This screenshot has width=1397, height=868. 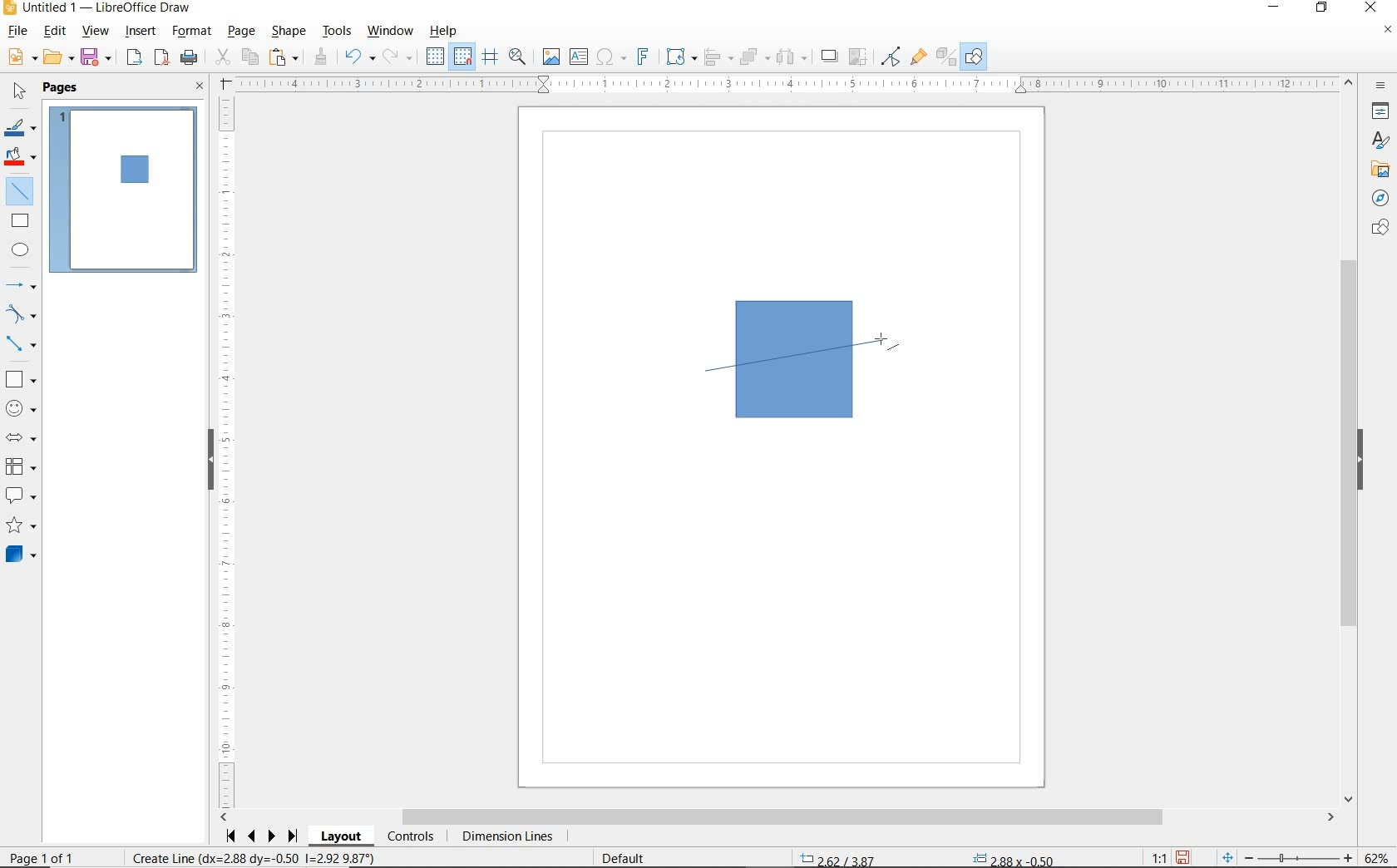 What do you see at coordinates (493, 59) in the screenshot?
I see `HELPLINES WHILE MOVING` at bounding box center [493, 59].